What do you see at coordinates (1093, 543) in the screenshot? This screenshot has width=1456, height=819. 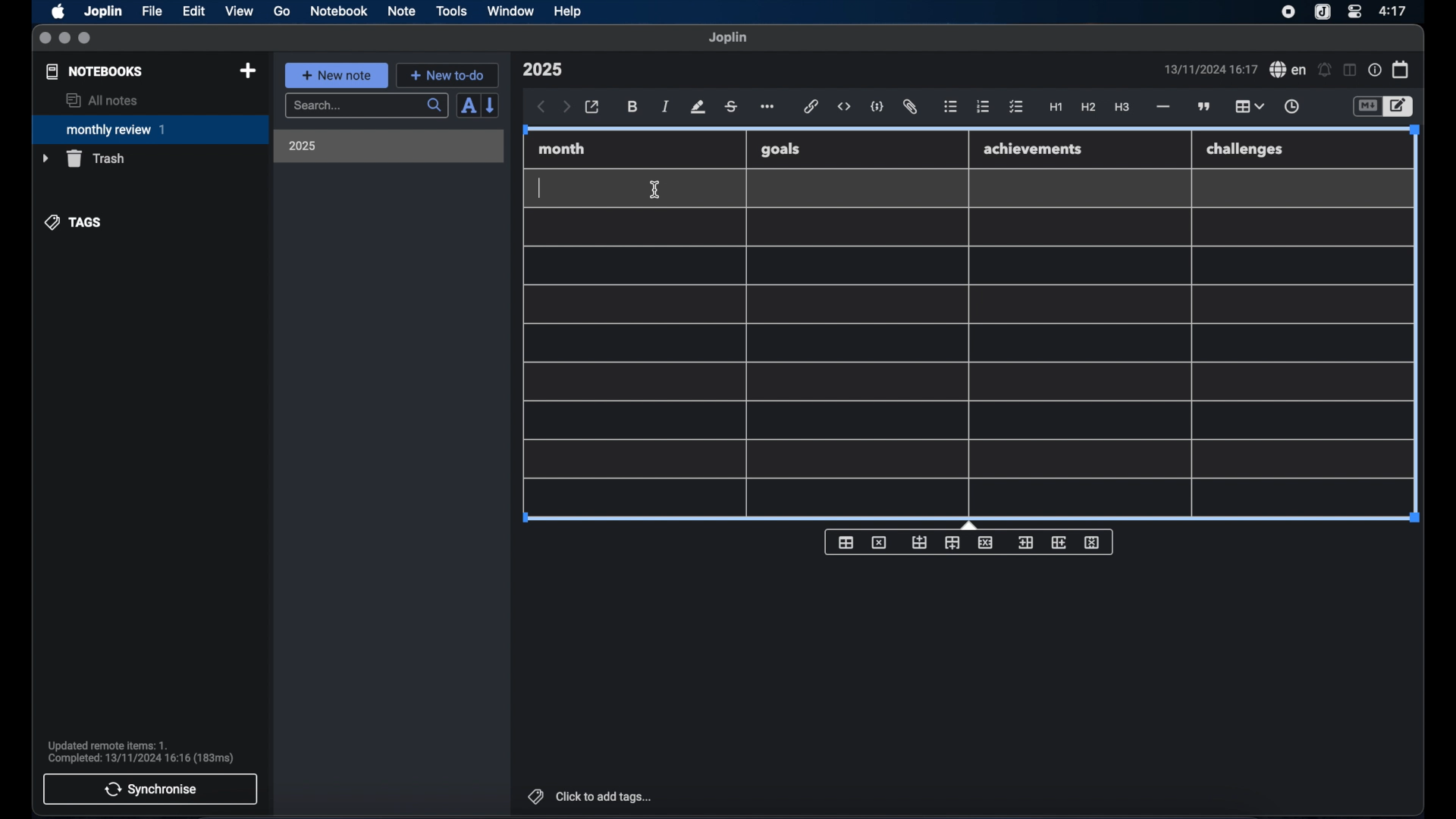 I see `delete column` at bounding box center [1093, 543].